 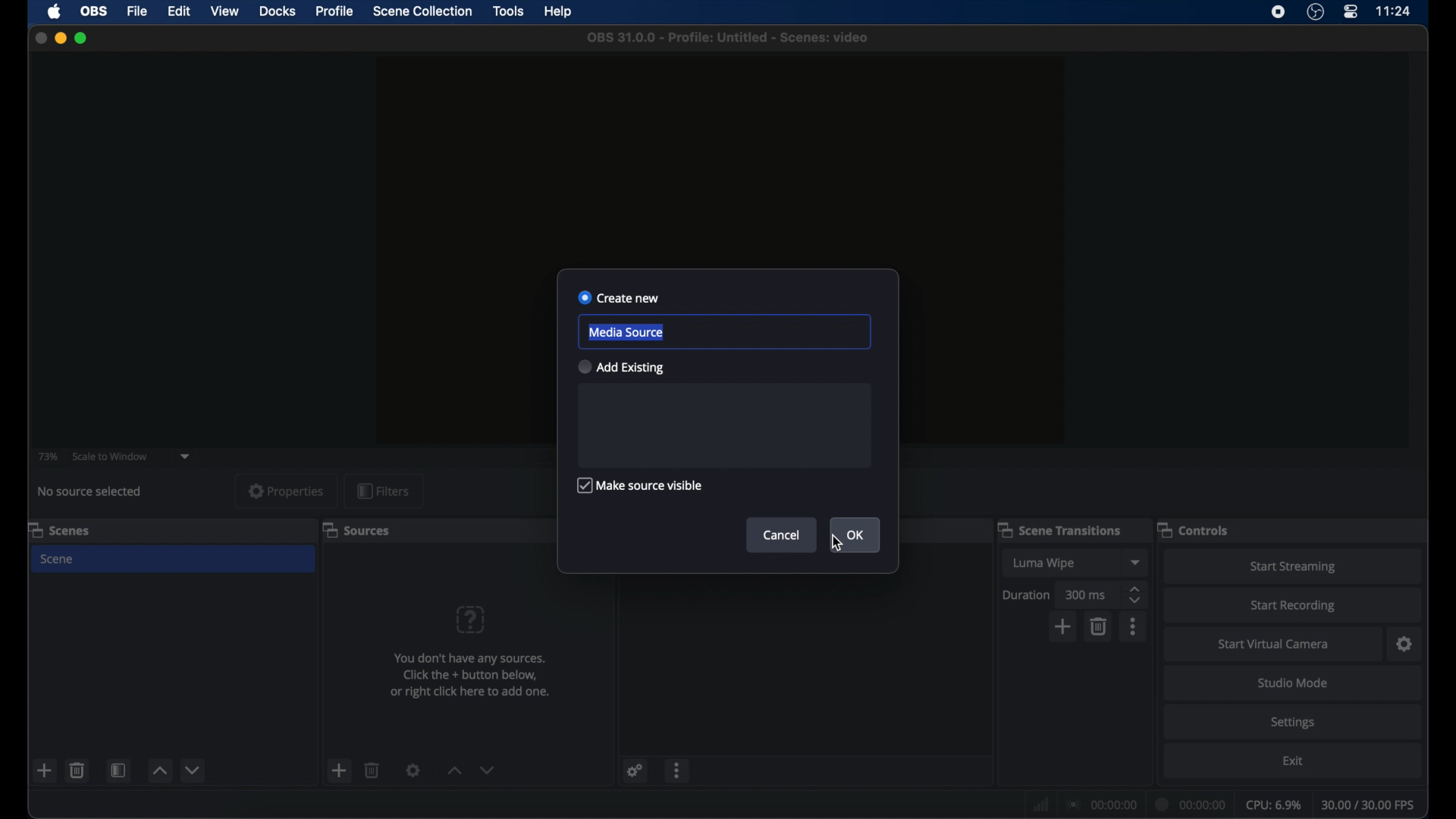 I want to click on cpu, so click(x=1272, y=805).